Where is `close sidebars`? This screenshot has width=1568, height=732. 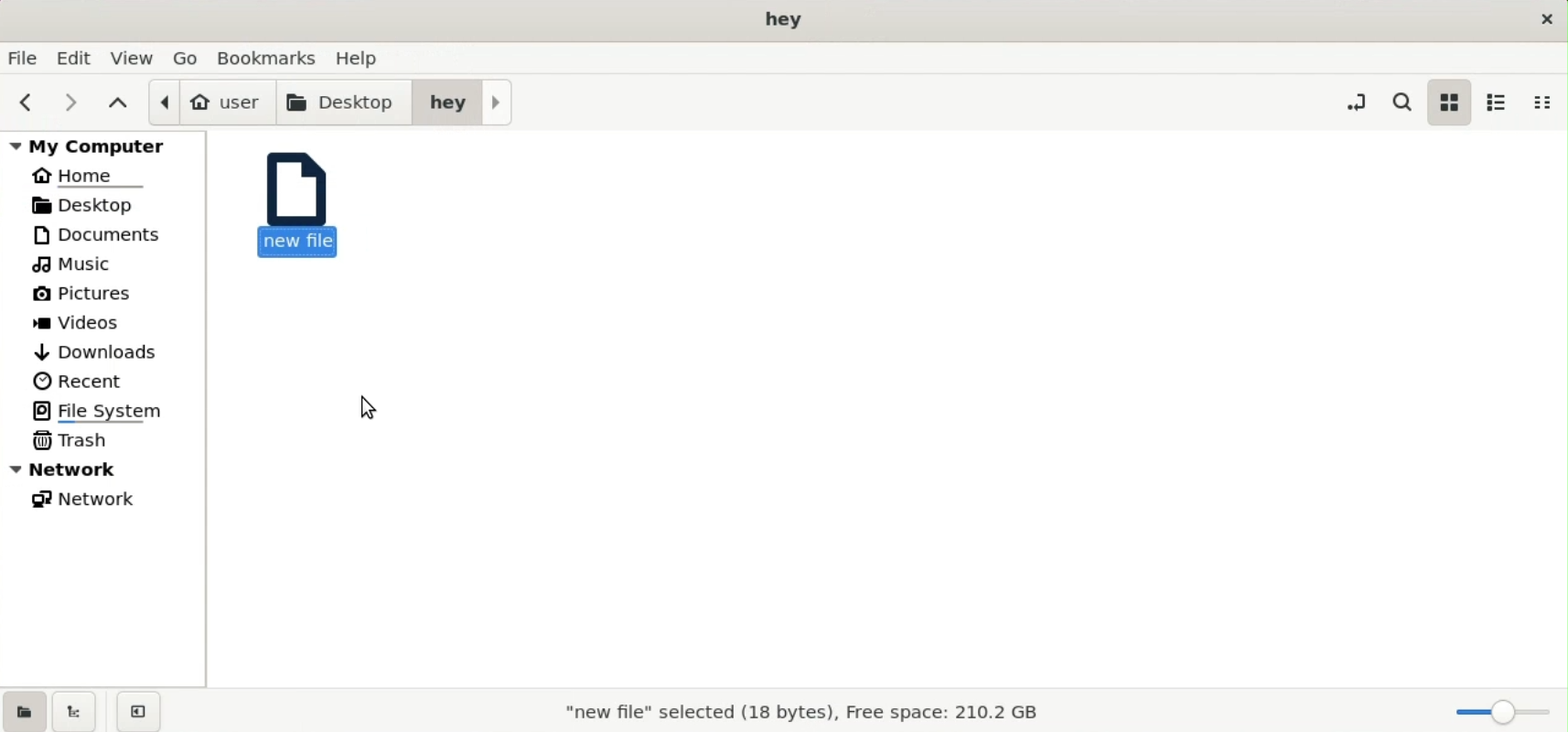
close sidebars is located at coordinates (138, 710).